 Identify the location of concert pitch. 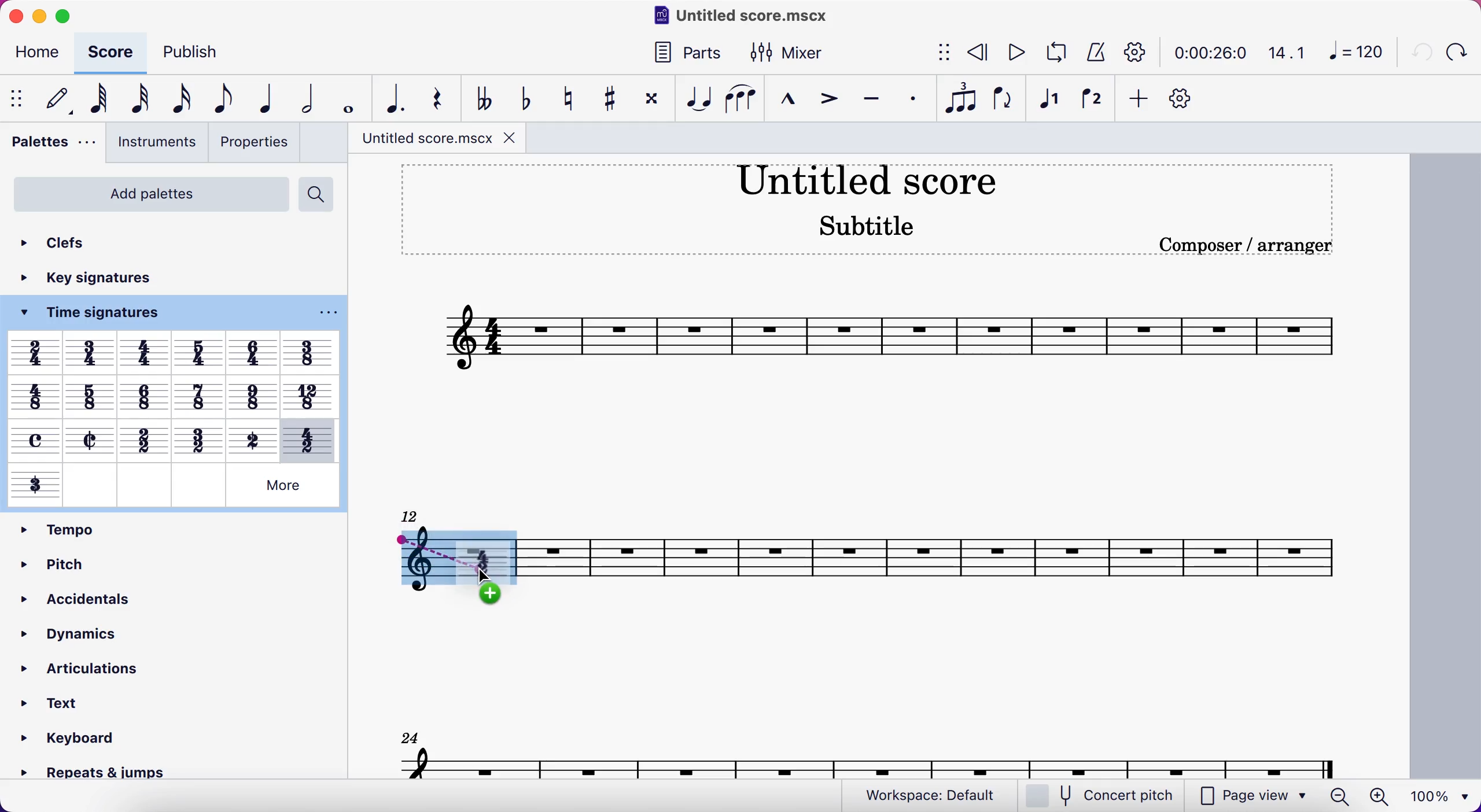
(1099, 795).